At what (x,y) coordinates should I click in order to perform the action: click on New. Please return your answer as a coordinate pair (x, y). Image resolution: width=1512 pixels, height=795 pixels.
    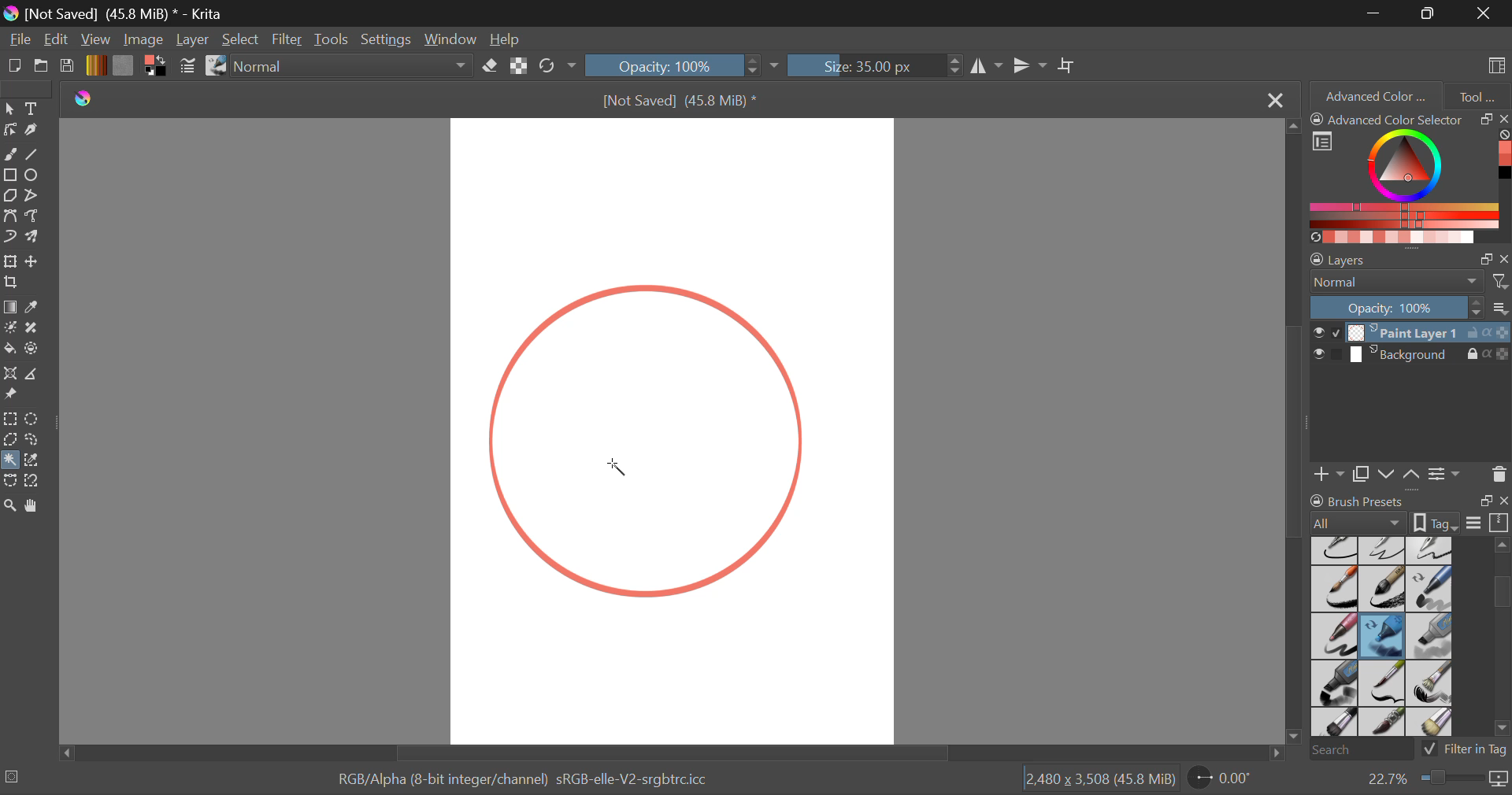
    Looking at the image, I should click on (15, 68).